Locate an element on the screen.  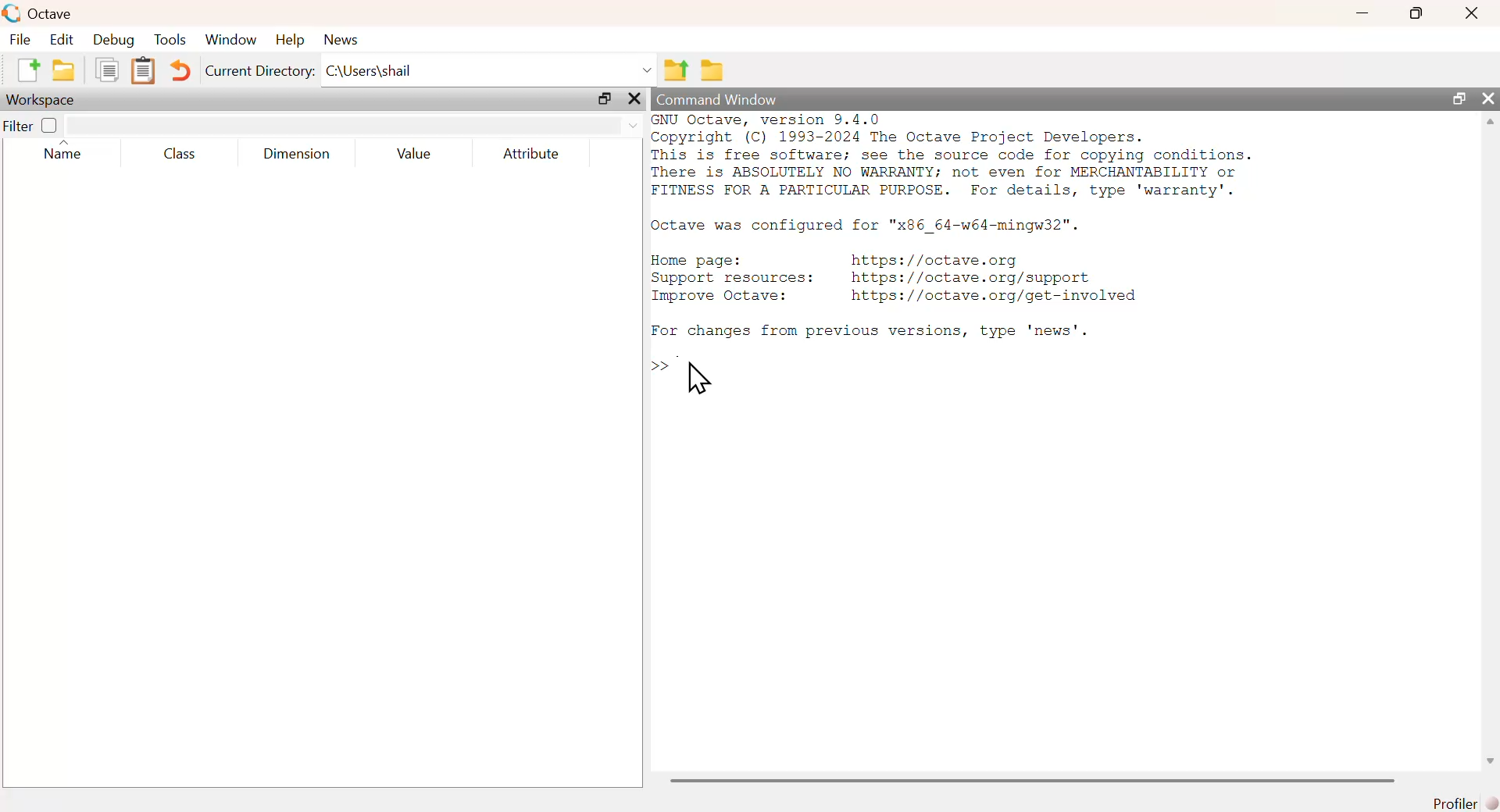
Class is located at coordinates (186, 155).